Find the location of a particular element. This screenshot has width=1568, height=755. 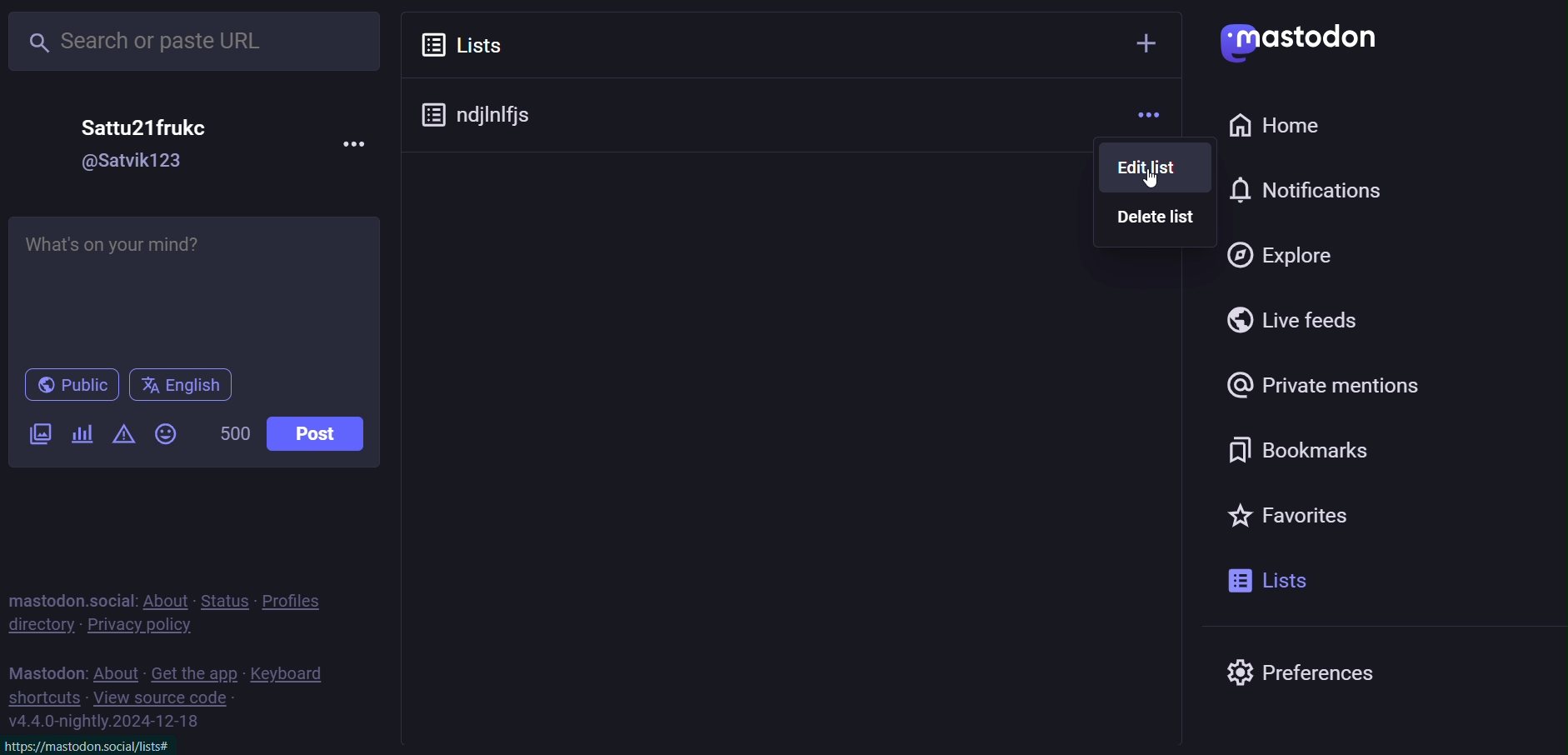

add is located at coordinates (1145, 47).